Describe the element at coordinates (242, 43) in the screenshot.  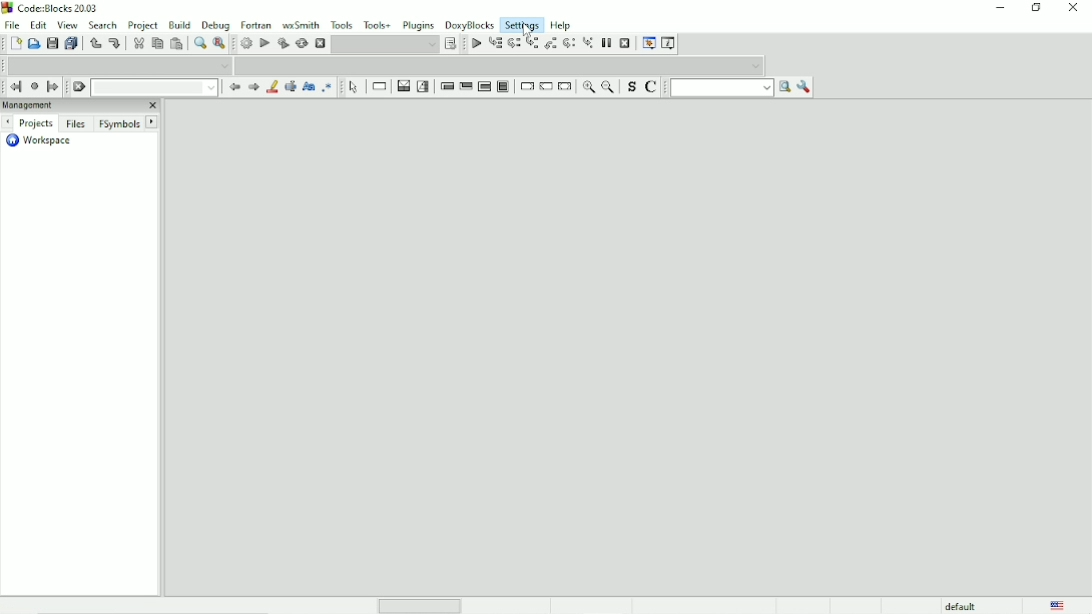
I see `Build` at that location.